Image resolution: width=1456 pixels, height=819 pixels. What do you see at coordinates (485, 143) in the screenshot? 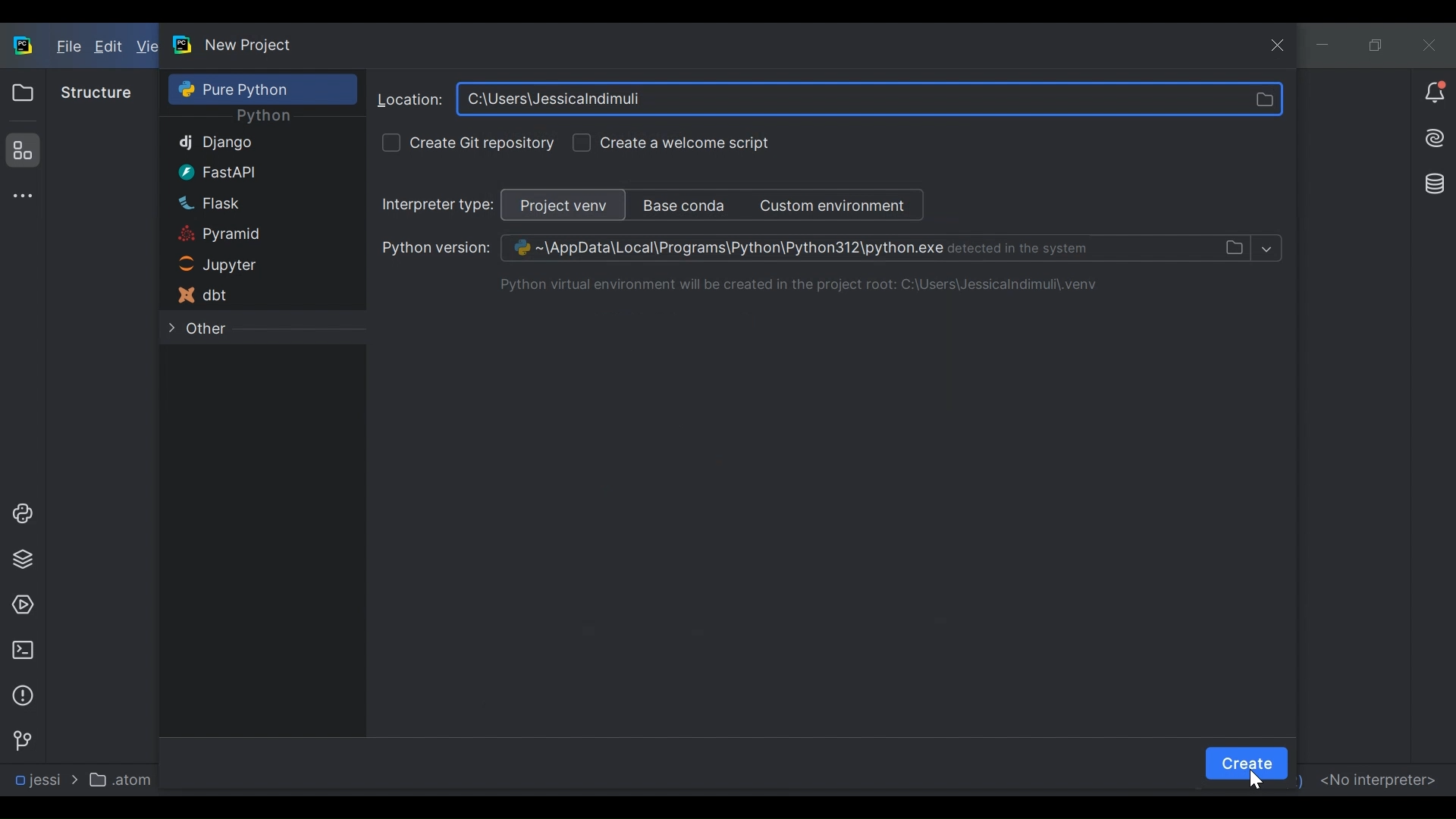
I see `Create Git Repository` at bounding box center [485, 143].